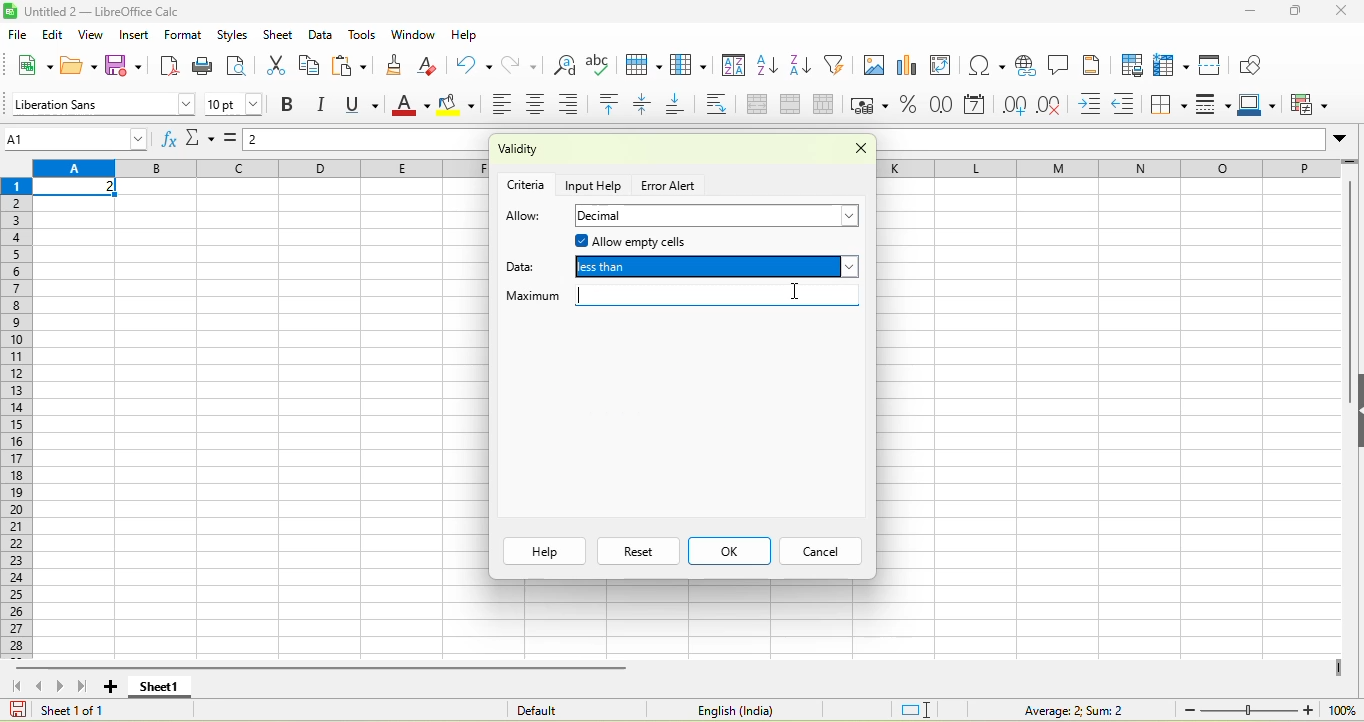 The width and height of the screenshot is (1364, 722). Describe the element at coordinates (324, 667) in the screenshot. I see `horizontal scroll bar` at that location.